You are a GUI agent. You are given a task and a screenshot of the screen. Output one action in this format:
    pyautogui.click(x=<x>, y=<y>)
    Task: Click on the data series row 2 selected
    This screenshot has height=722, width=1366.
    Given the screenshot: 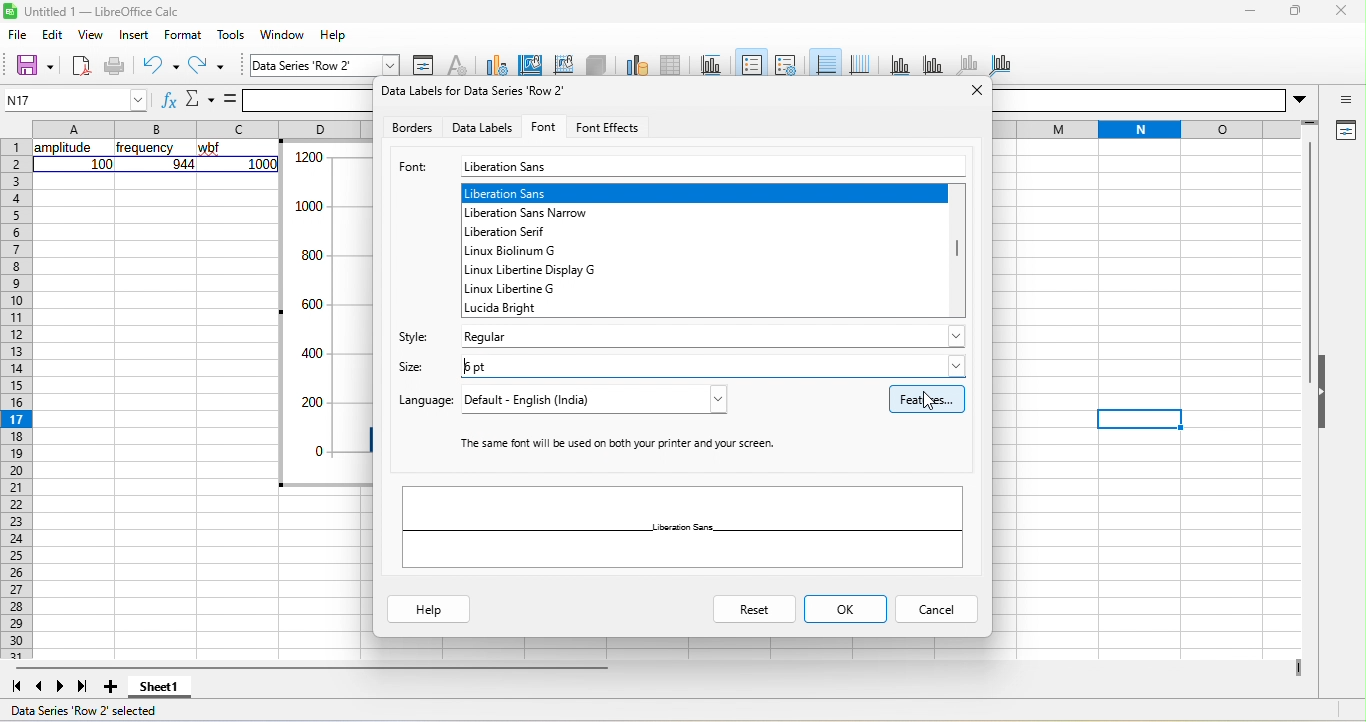 What is the action you would take?
    pyautogui.click(x=93, y=710)
    